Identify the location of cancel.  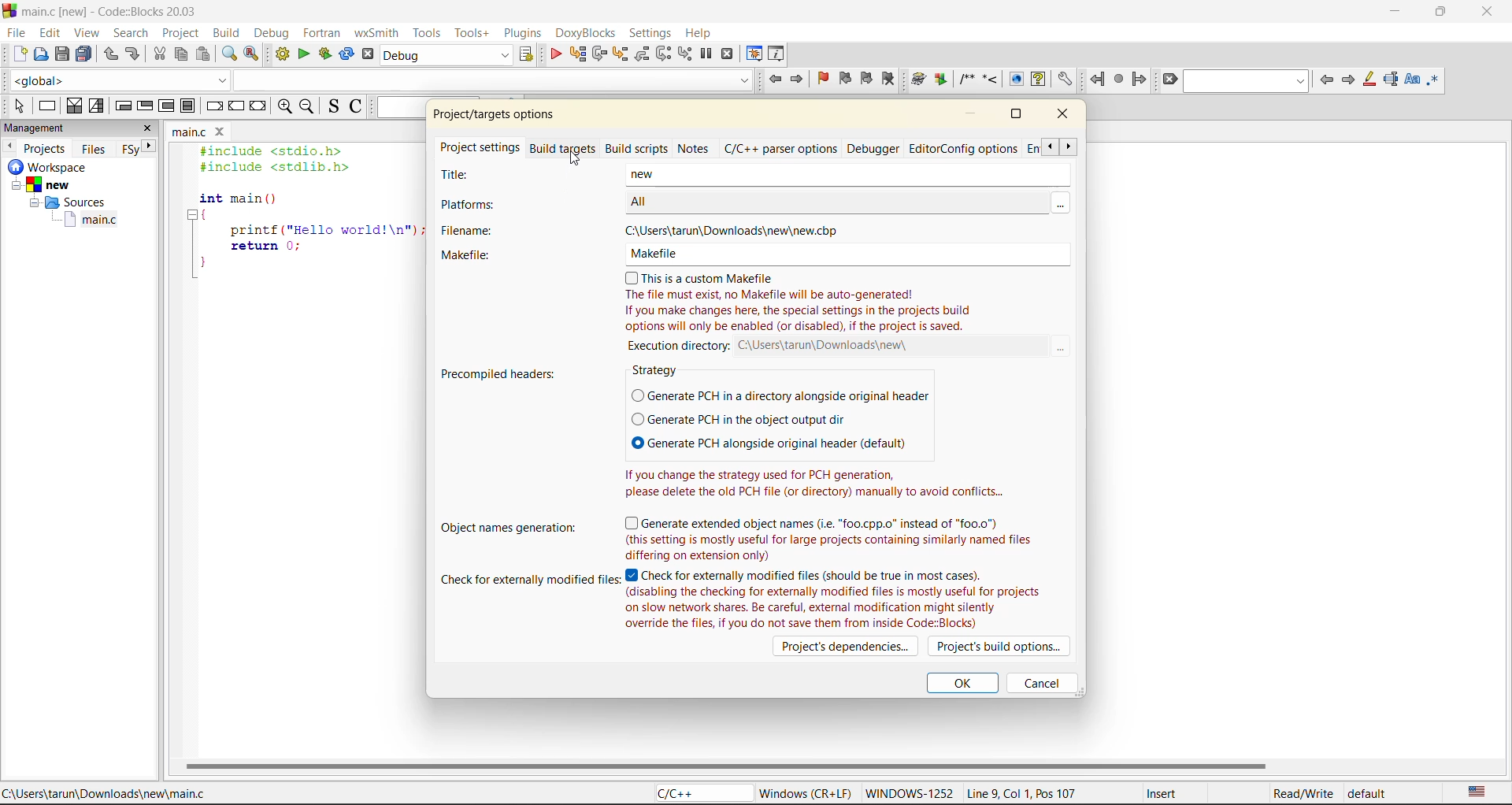
(1047, 683).